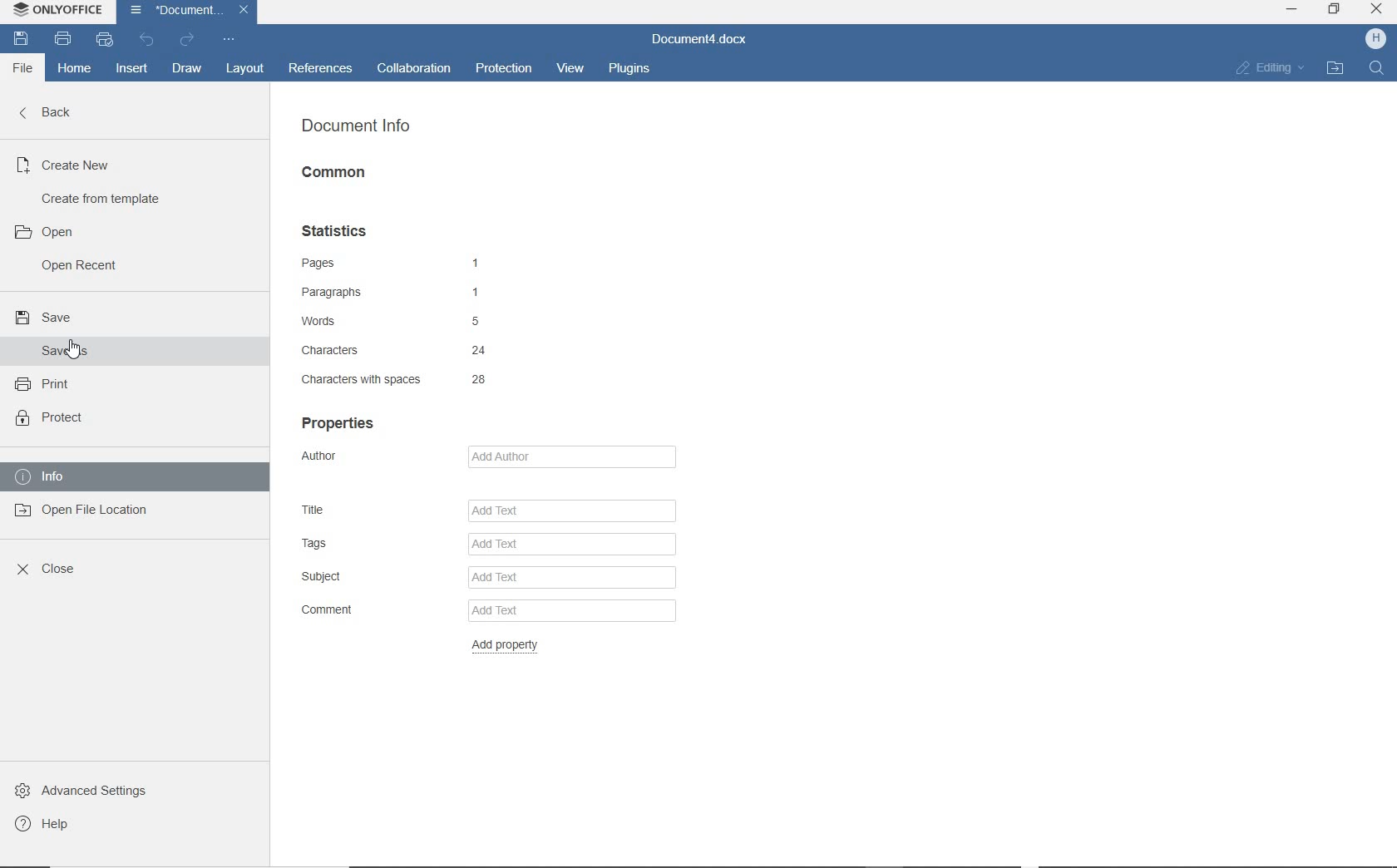  What do you see at coordinates (335, 172) in the screenshot?
I see `common` at bounding box center [335, 172].